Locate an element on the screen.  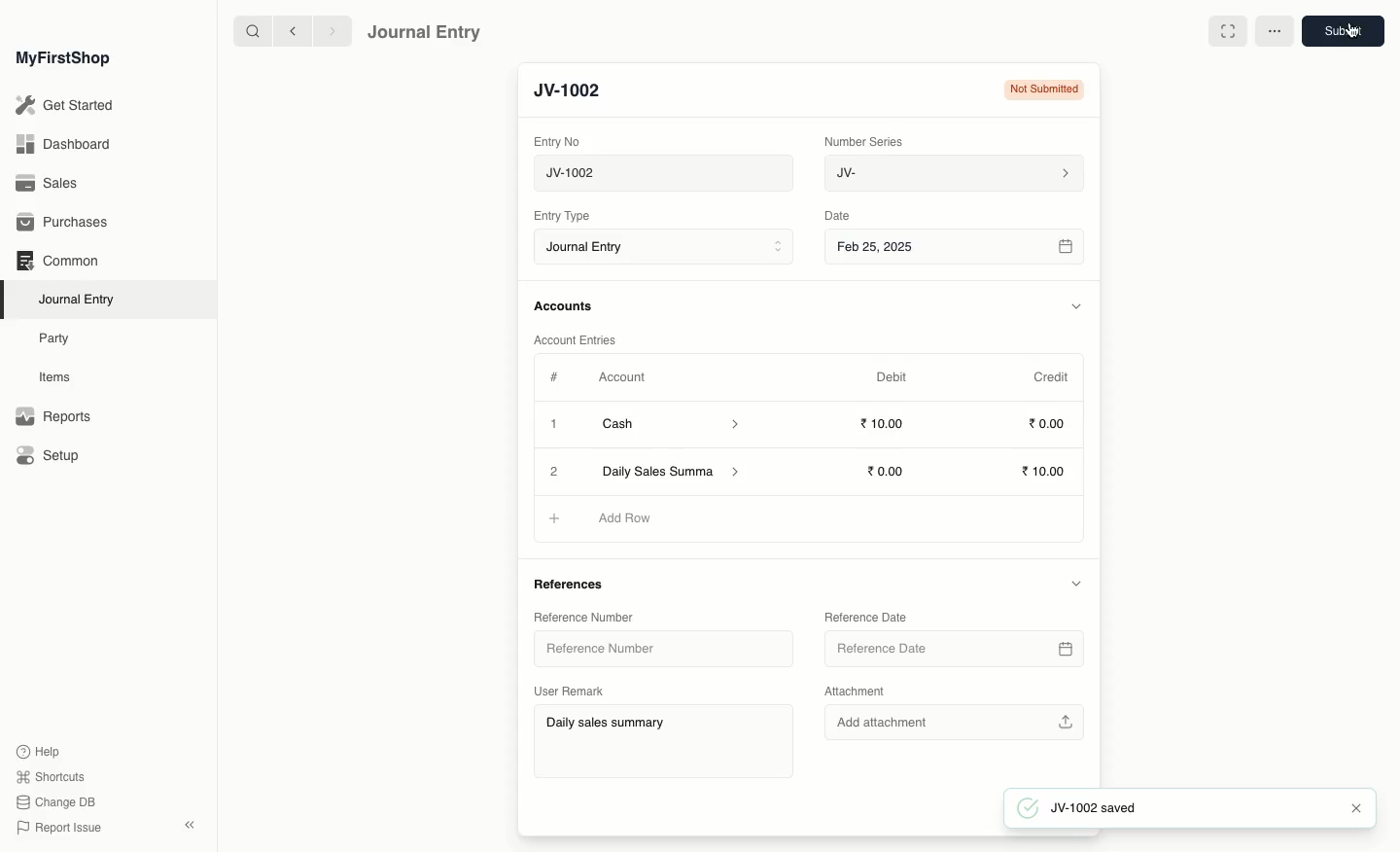
Entry No is located at coordinates (558, 141).